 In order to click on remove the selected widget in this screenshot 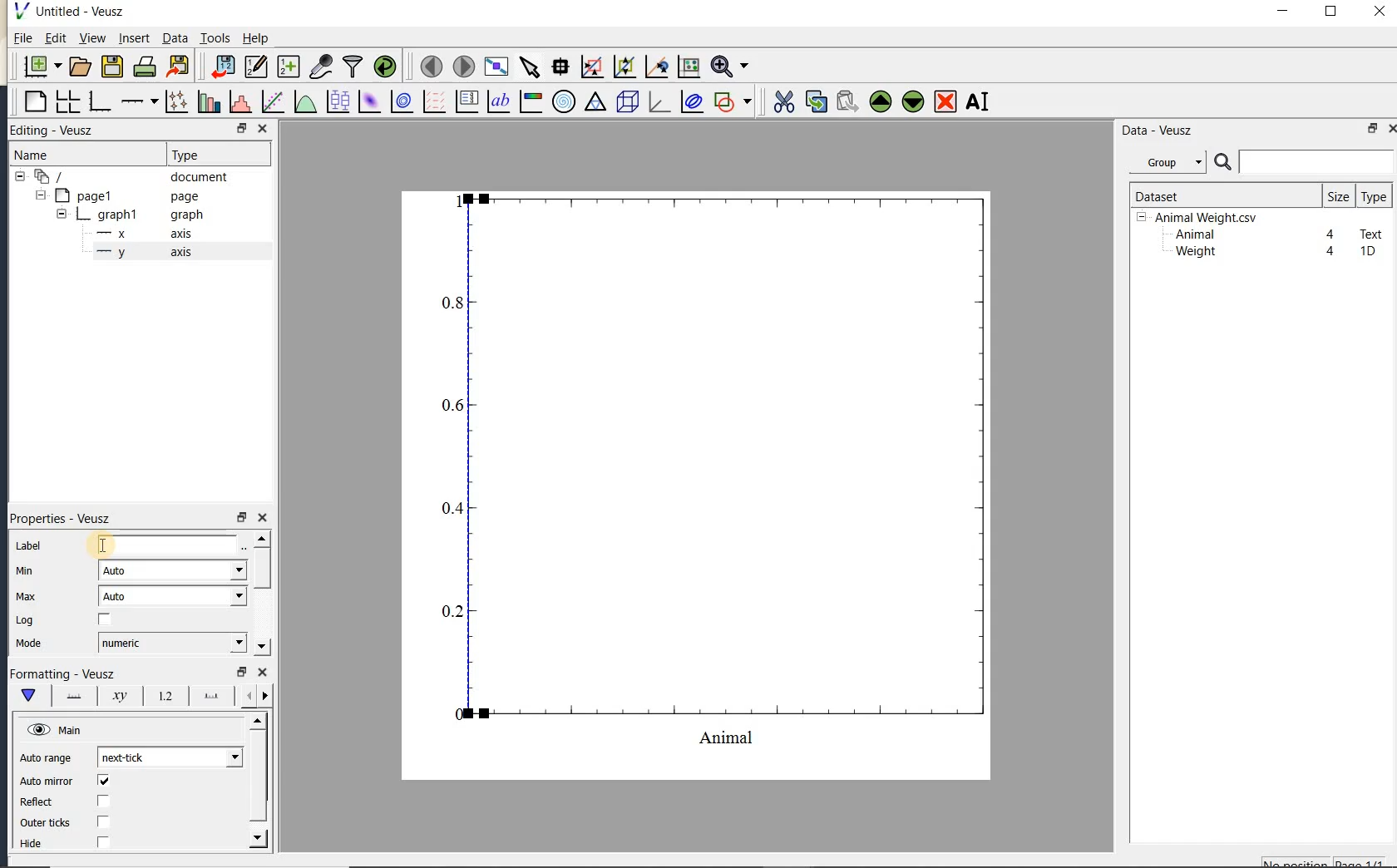, I will do `click(944, 103)`.